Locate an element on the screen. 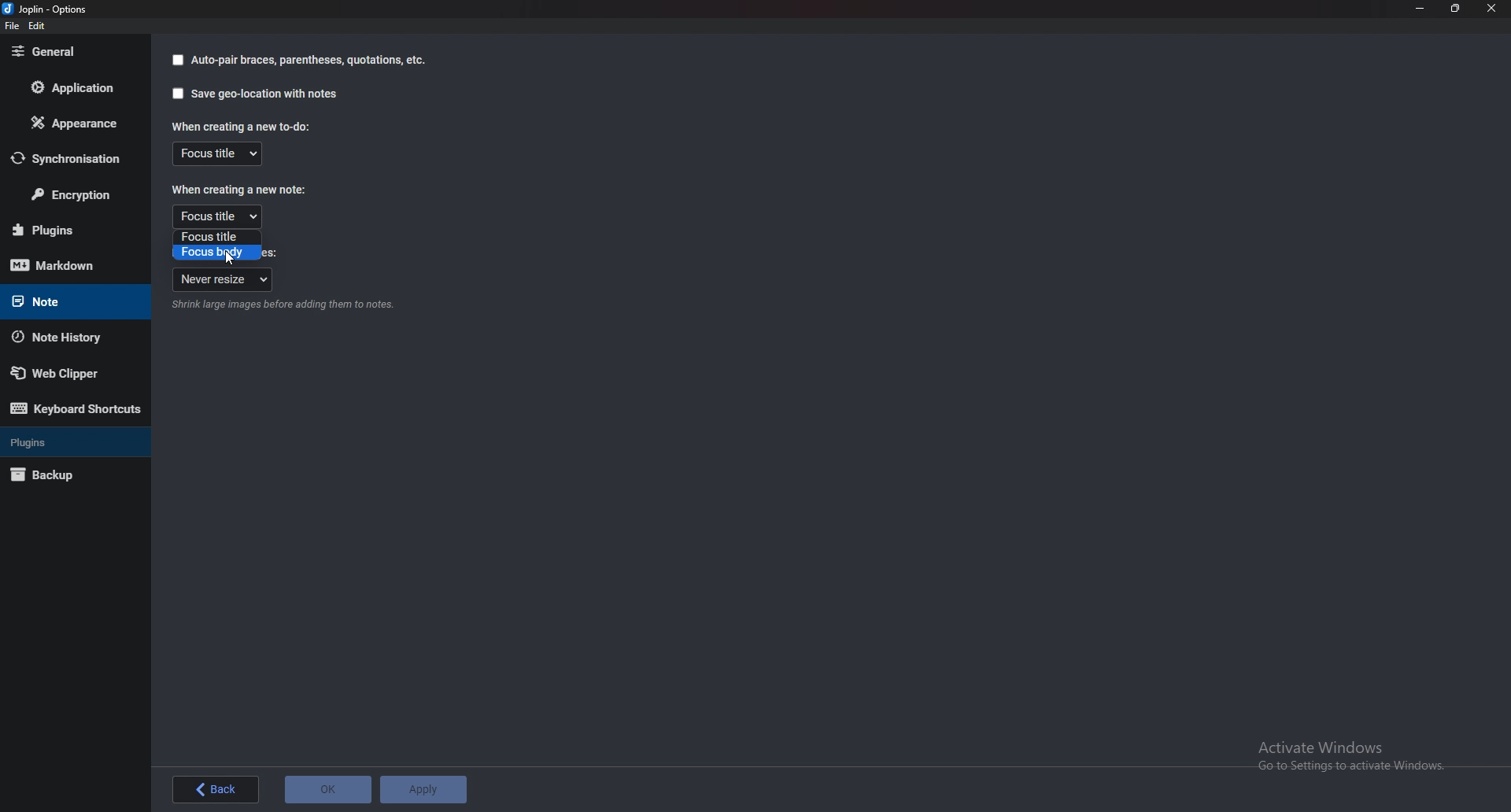 This screenshot has width=1511, height=812. Focus title is located at coordinates (217, 153).